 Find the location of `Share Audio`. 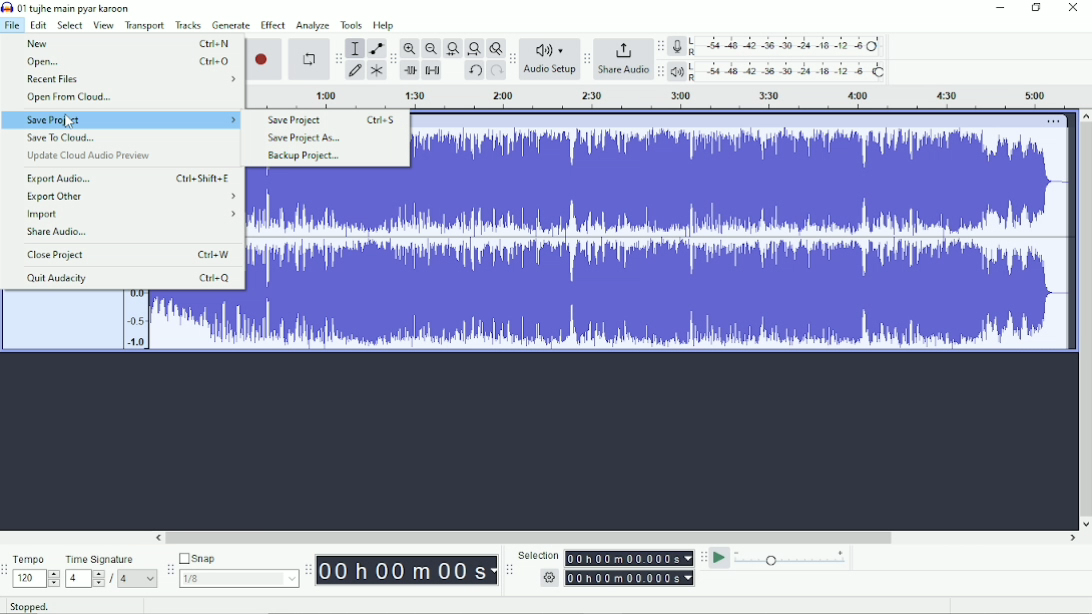

Share Audio is located at coordinates (65, 232).